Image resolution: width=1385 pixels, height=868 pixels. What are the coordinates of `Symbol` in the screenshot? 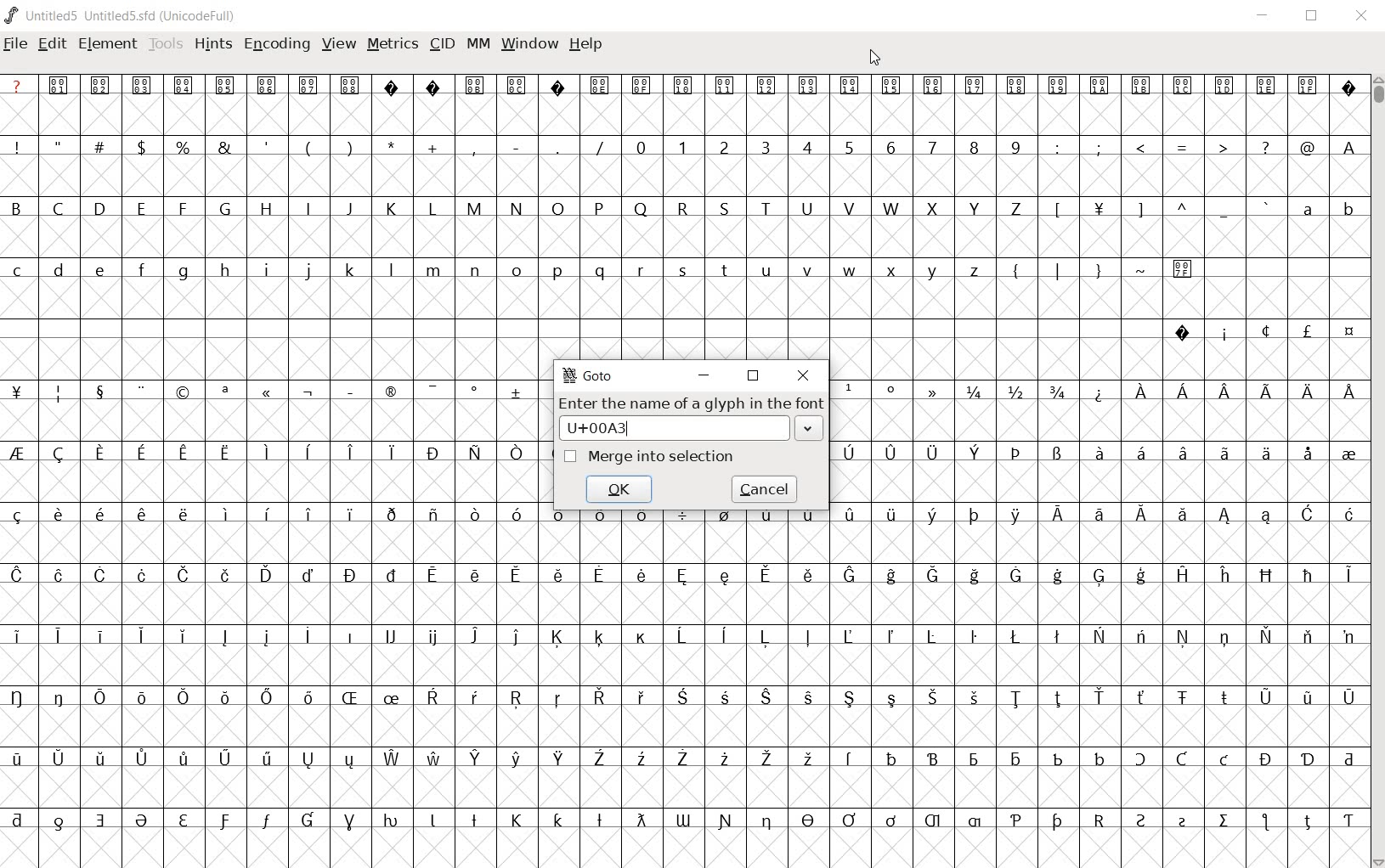 It's located at (1268, 518).